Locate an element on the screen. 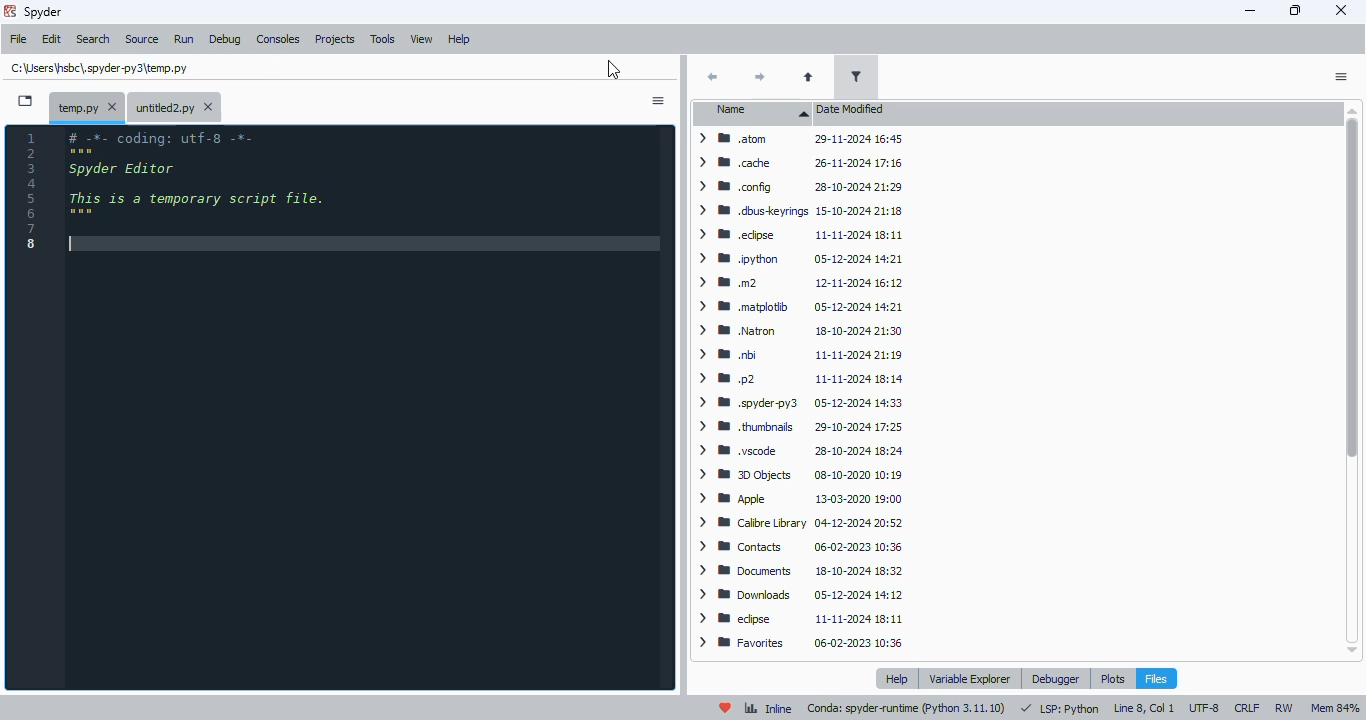  > BB .edpse 11-11-2024 18:11 is located at coordinates (801, 233).